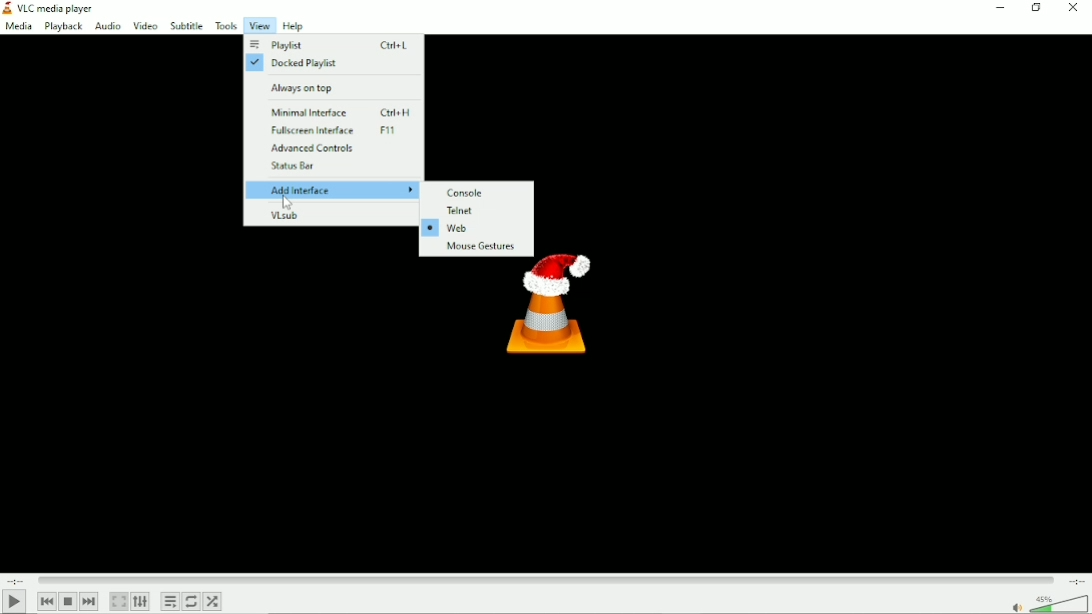  Describe the element at coordinates (1036, 9) in the screenshot. I see `restore down` at that location.